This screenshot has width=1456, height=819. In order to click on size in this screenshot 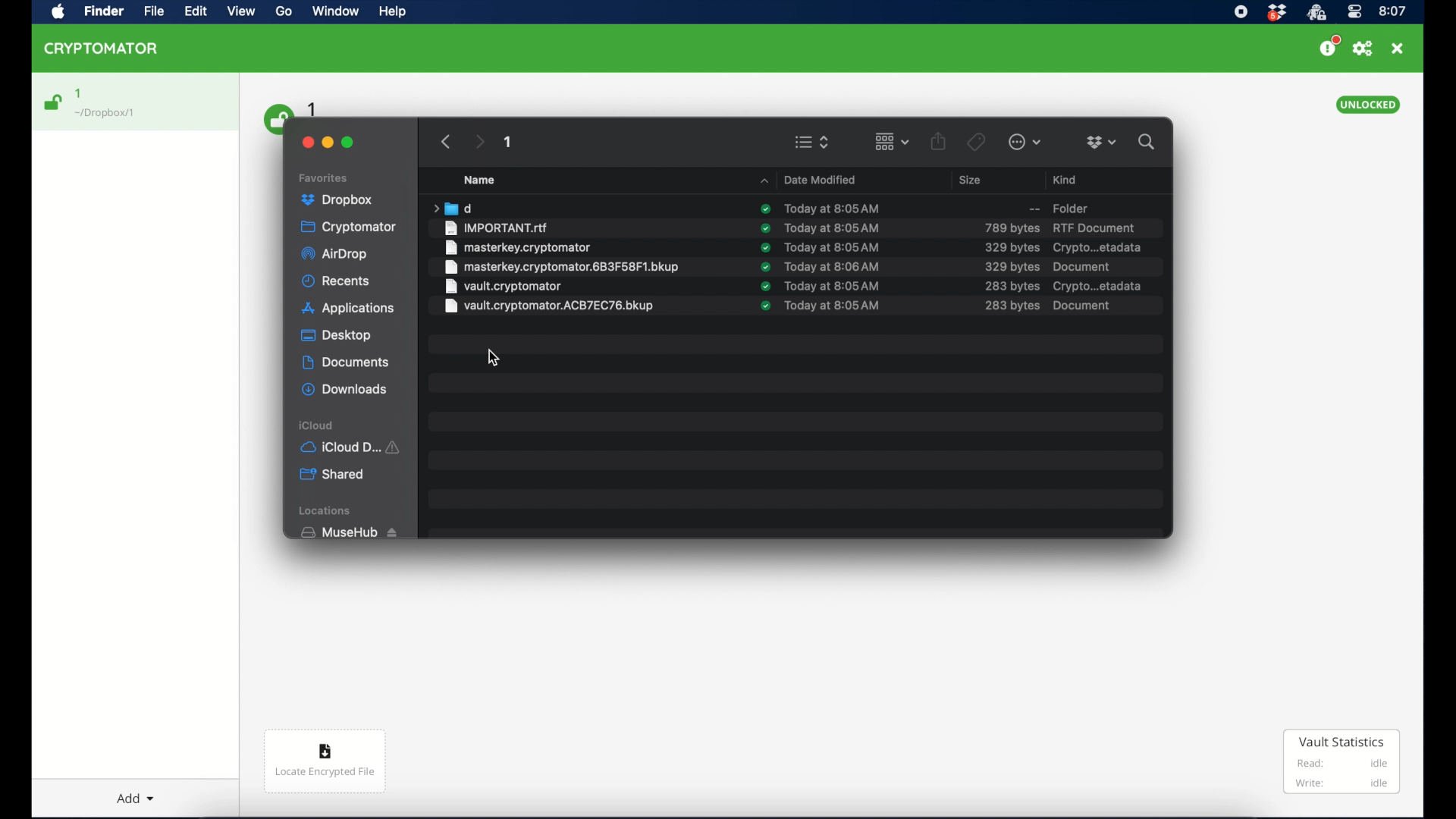, I will do `click(1011, 266)`.